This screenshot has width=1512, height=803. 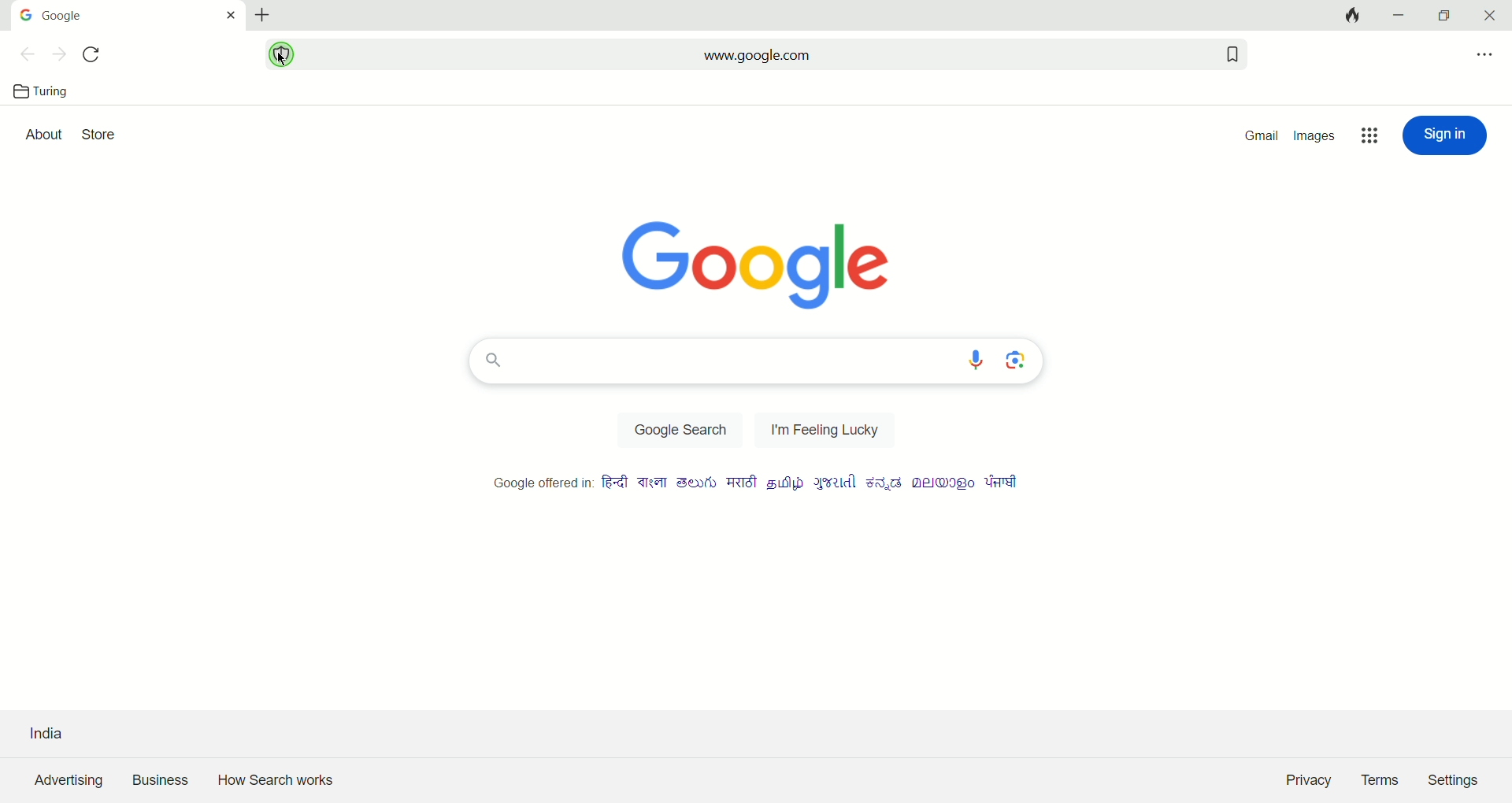 I want to click on Google search, so click(x=673, y=428).